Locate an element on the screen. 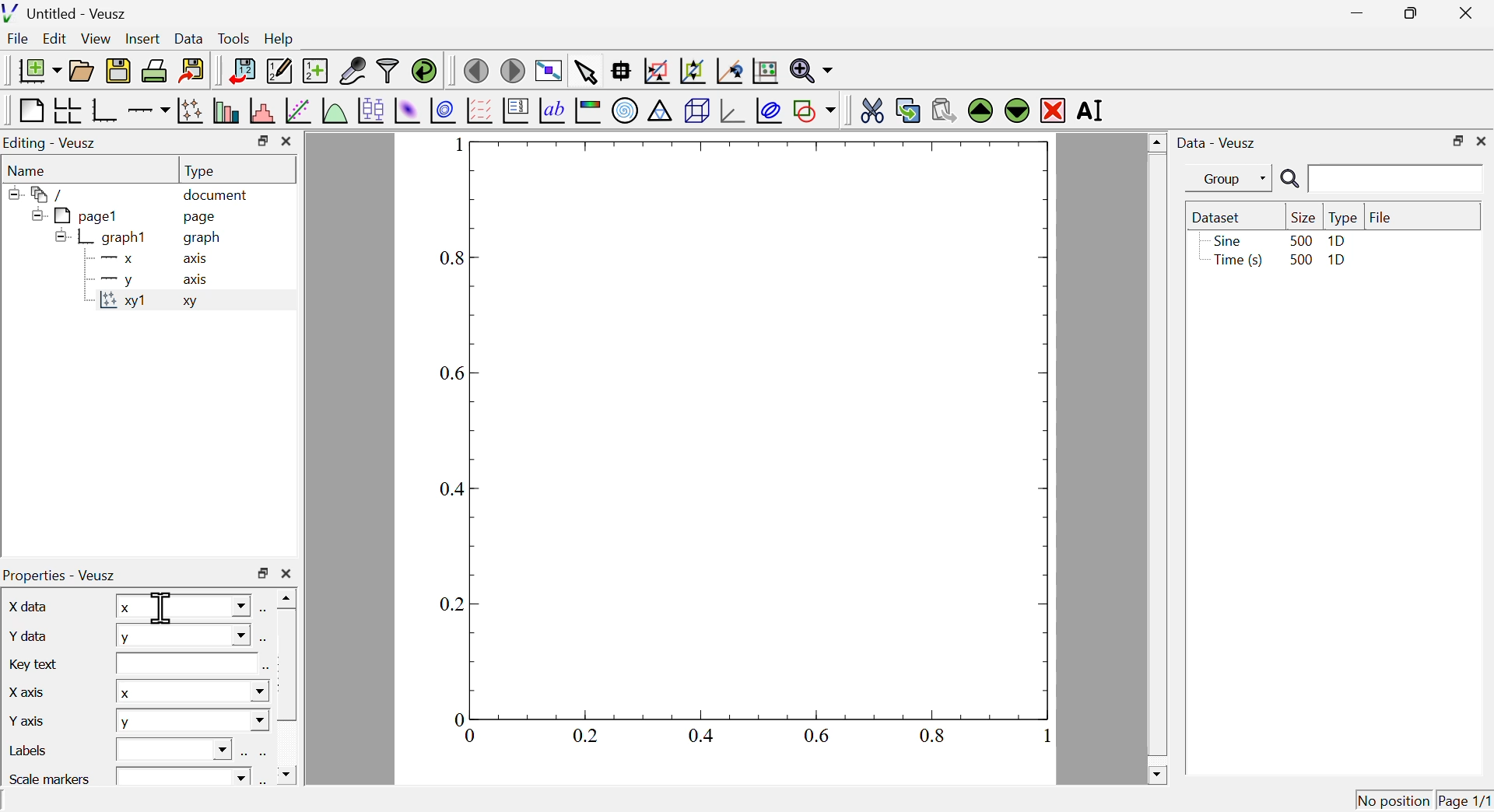 This screenshot has width=1494, height=812. save the document is located at coordinates (118, 72).